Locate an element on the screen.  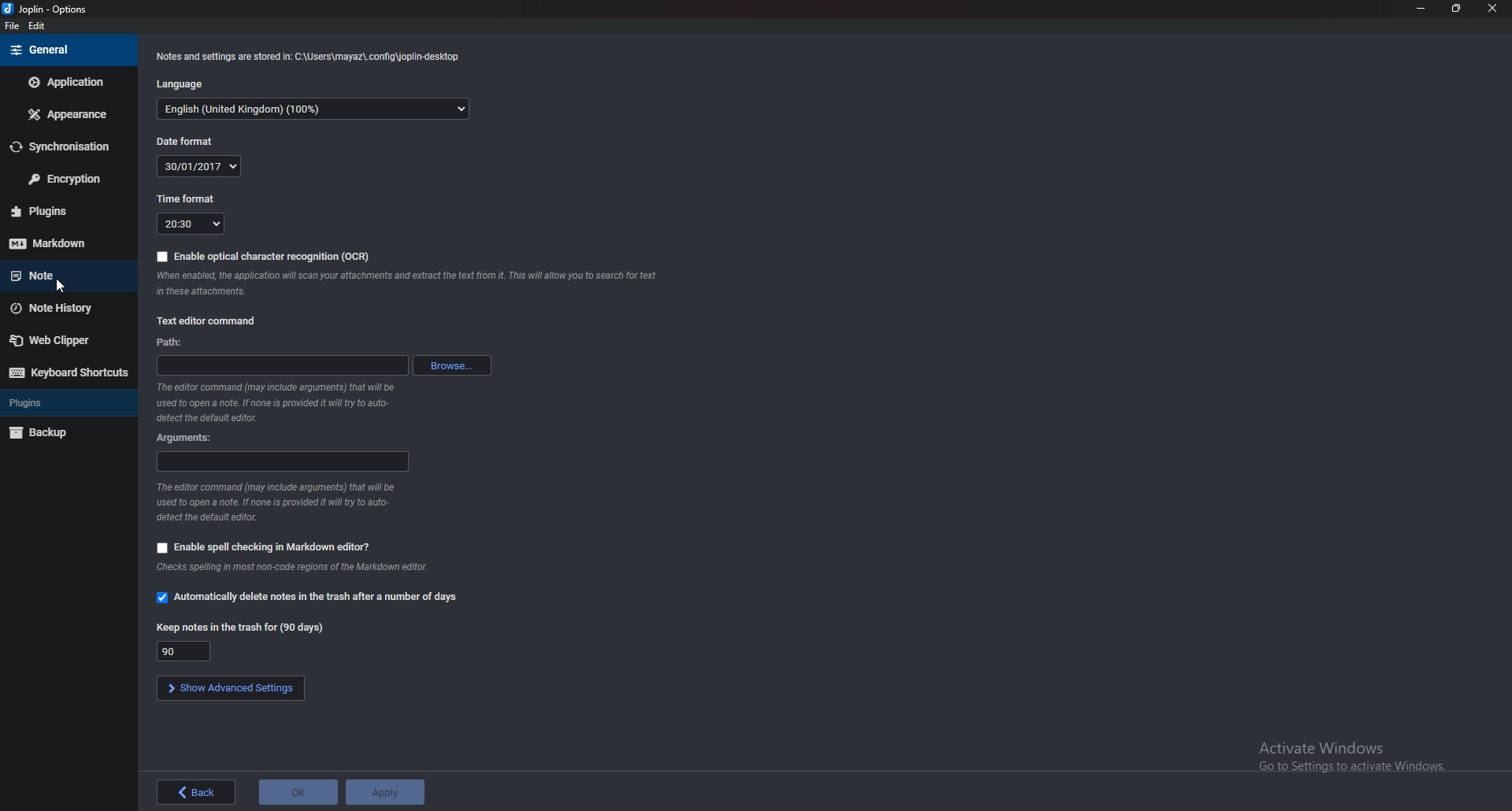
Keep notes in the trash for is located at coordinates (240, 627).